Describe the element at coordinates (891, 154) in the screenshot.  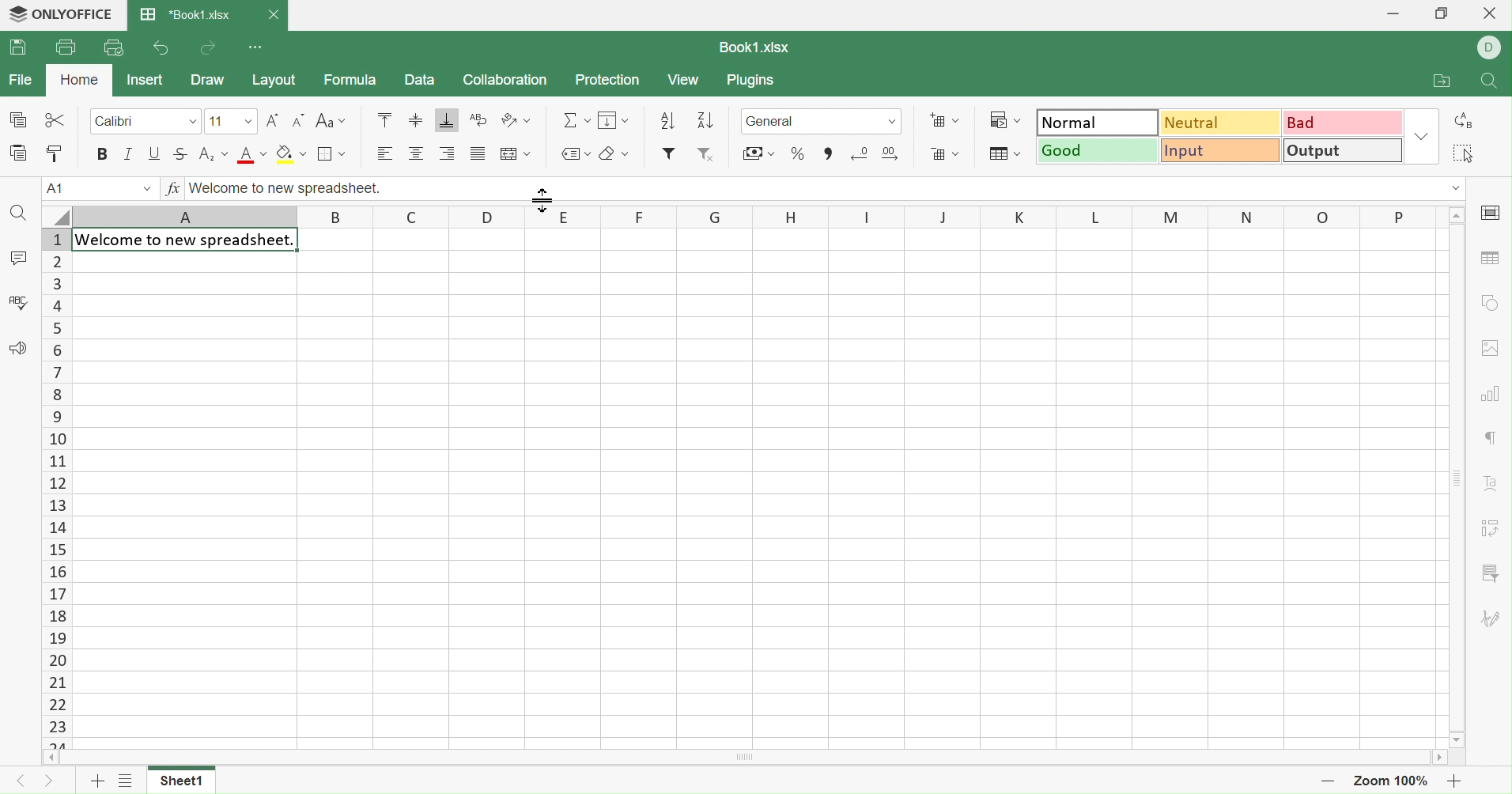
I see `Increase decimal` at that location.